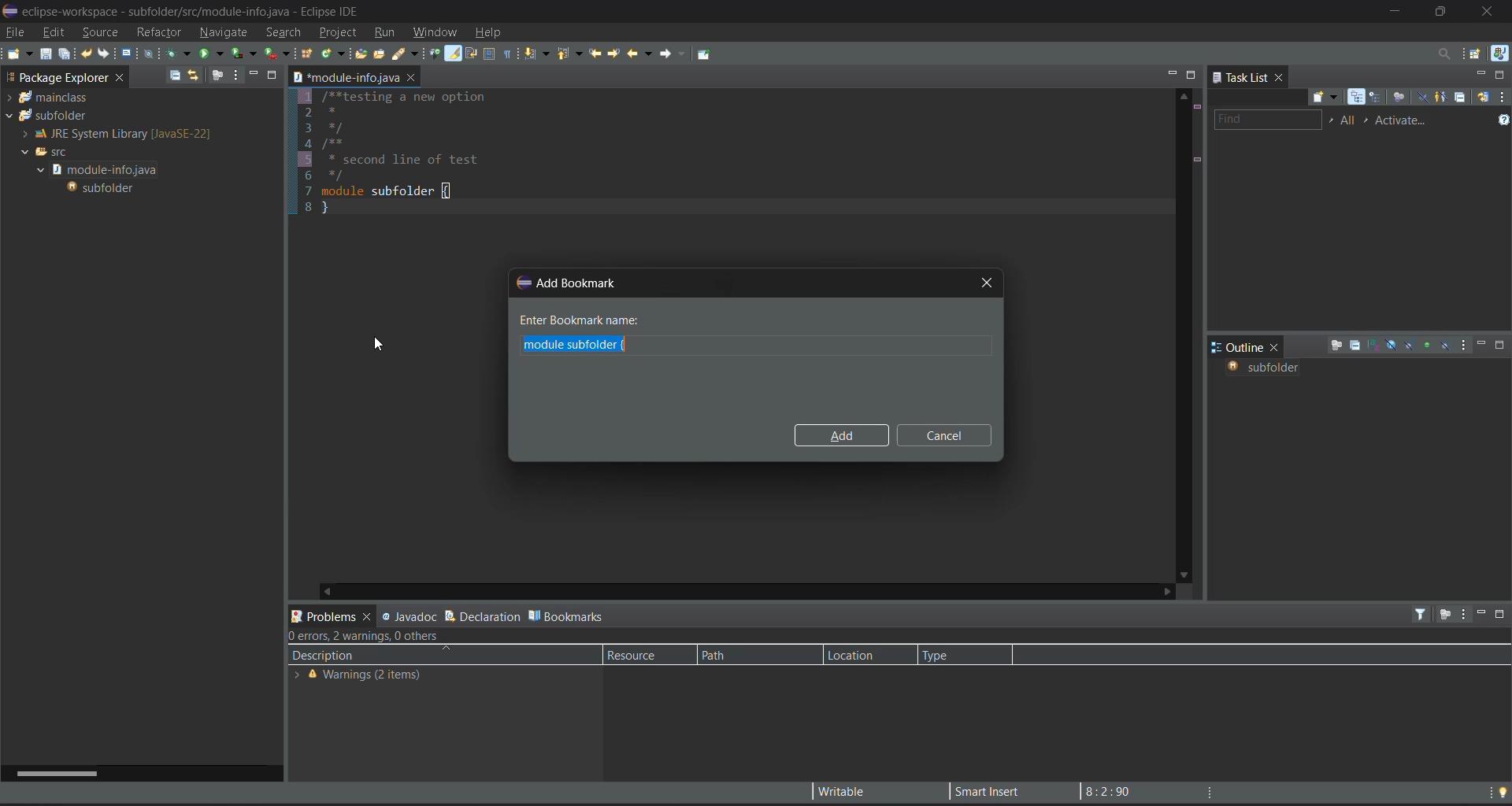 The image size is (1512, 806). I want to click on maximize, so click(1501, 346).